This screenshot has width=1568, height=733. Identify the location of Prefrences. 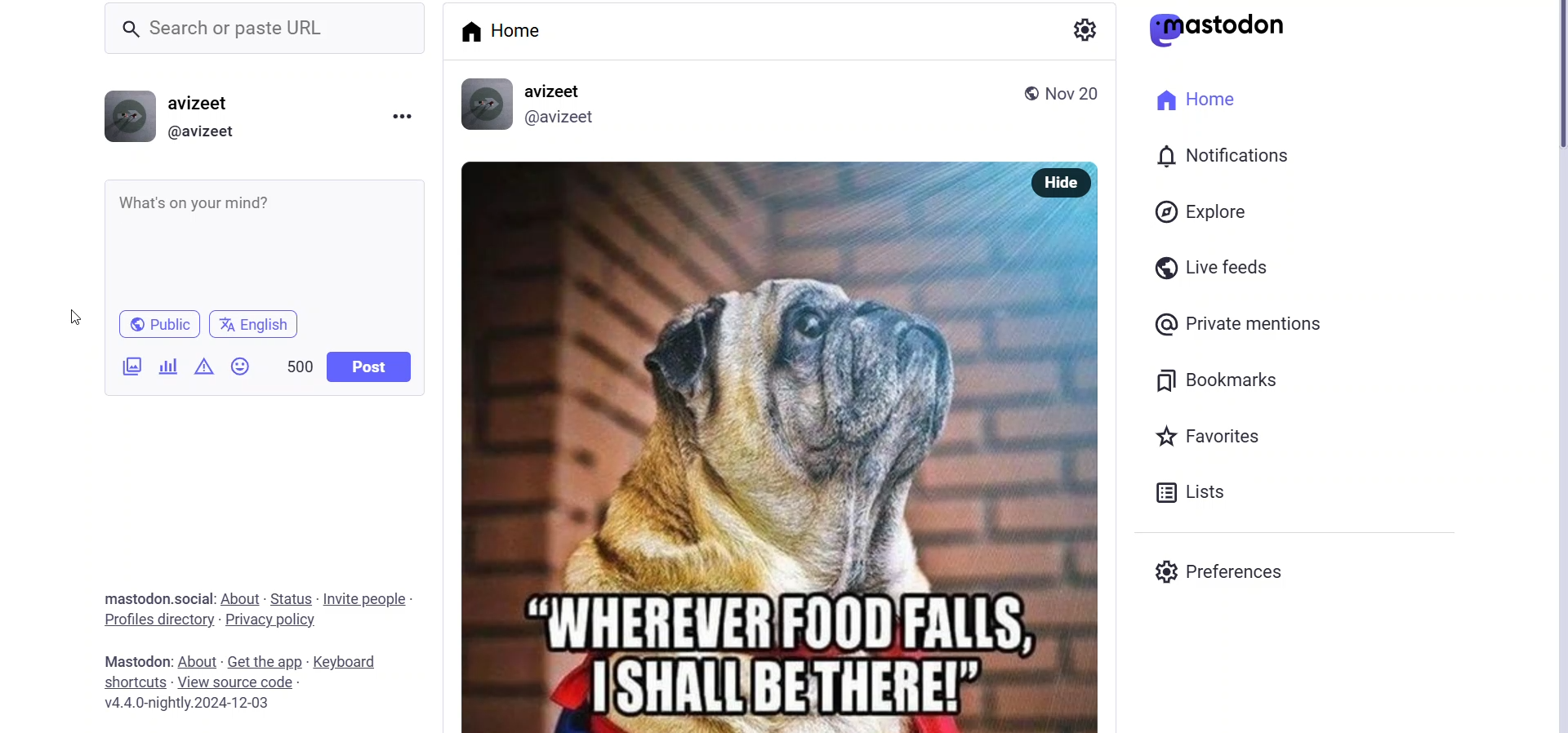
(1237, 571).